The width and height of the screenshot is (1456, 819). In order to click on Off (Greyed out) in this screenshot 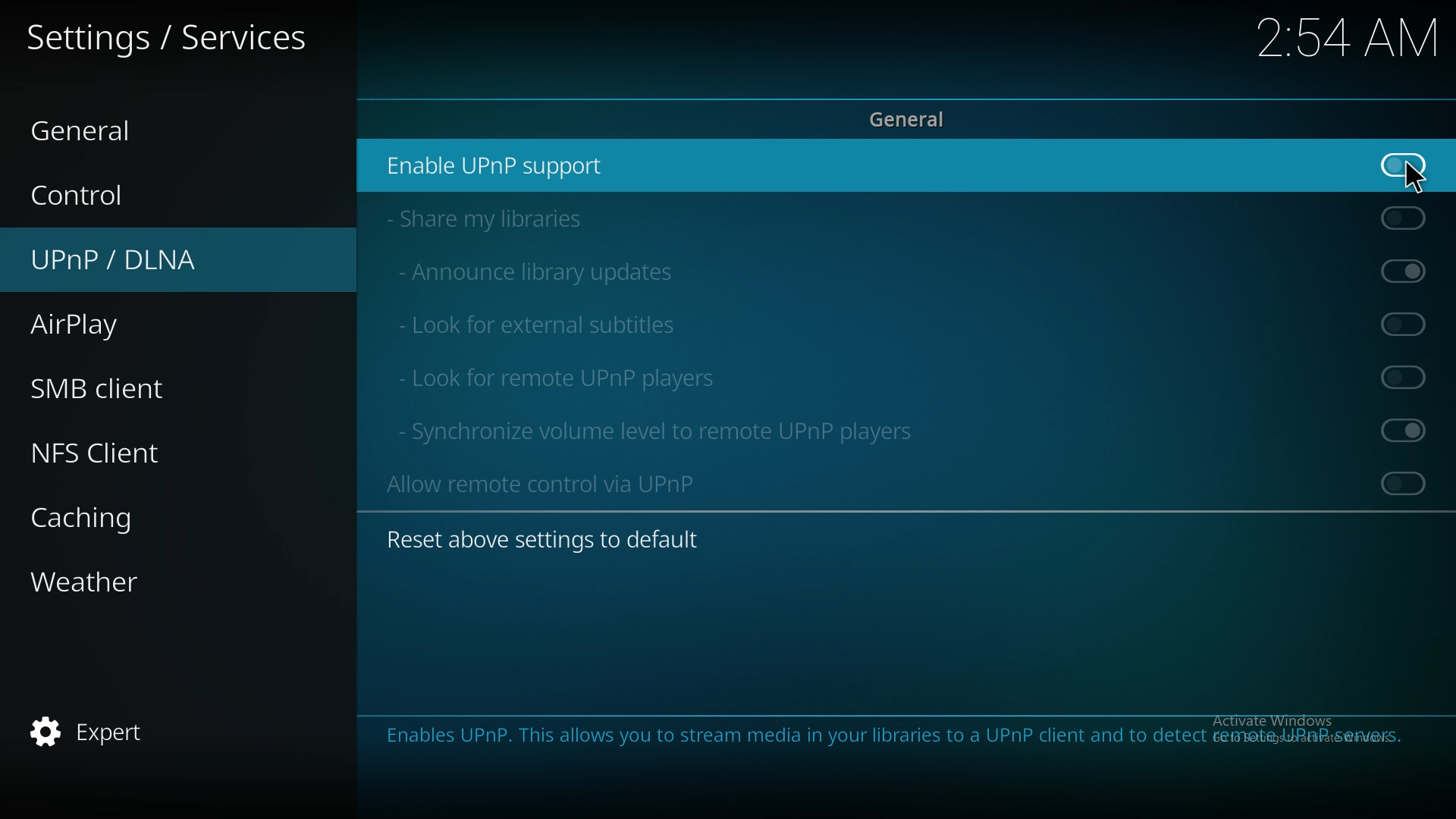, I will do `click(1406, 218)`.